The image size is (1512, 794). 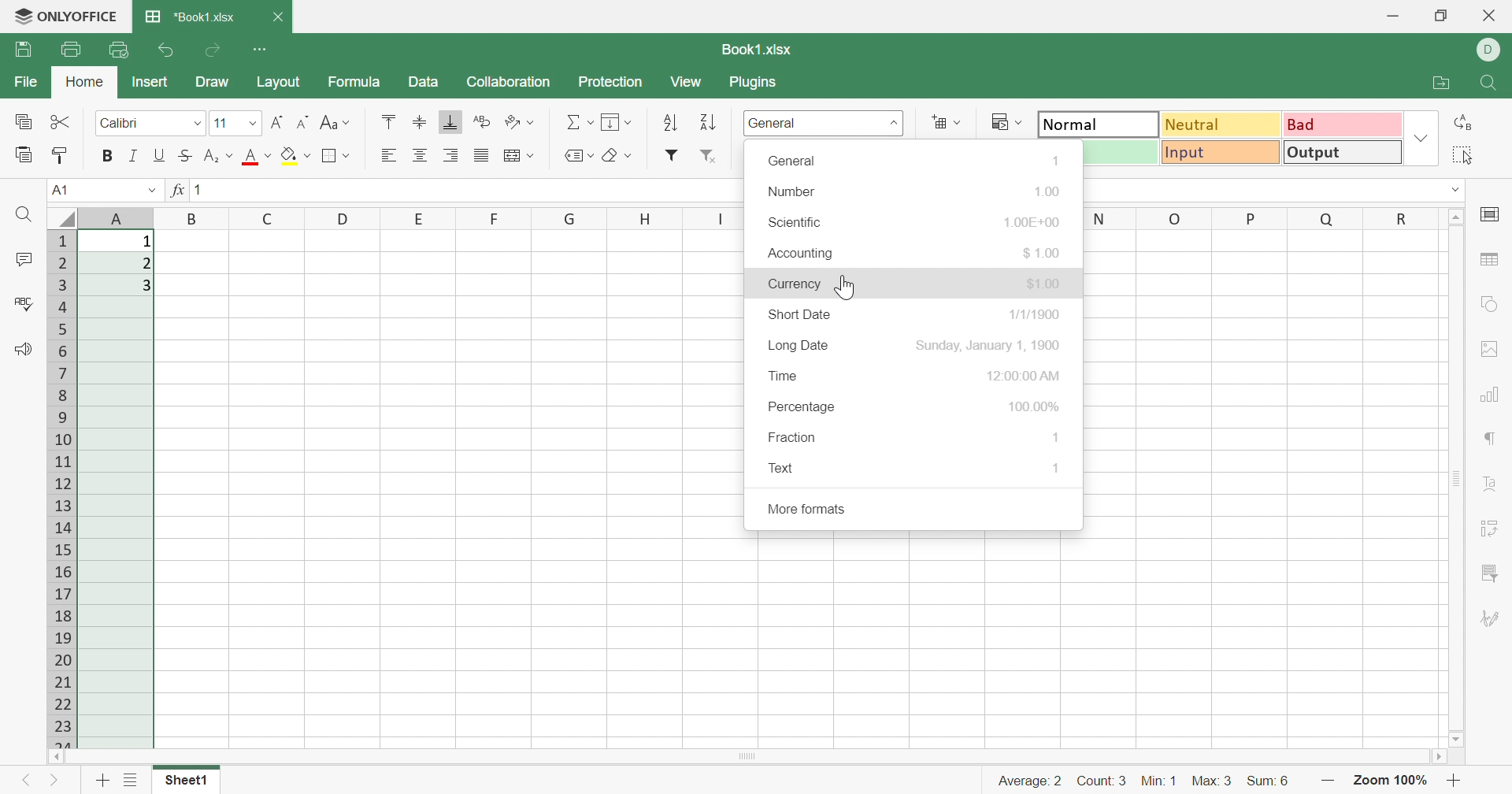 I want to click on column names, so click(x=1258, y=216).